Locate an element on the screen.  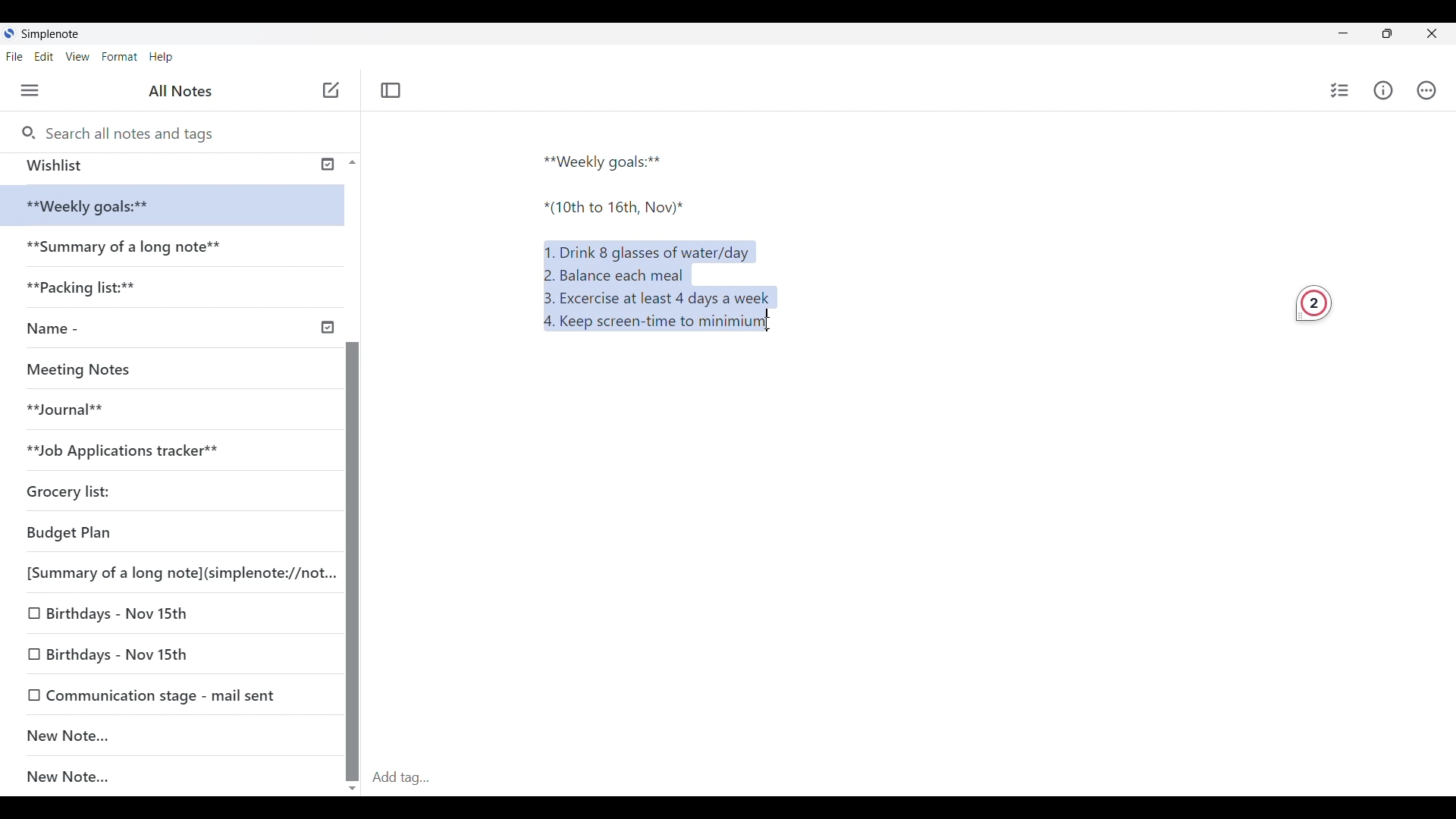
**Summary of a long note** is located at coordinates (128, 249).